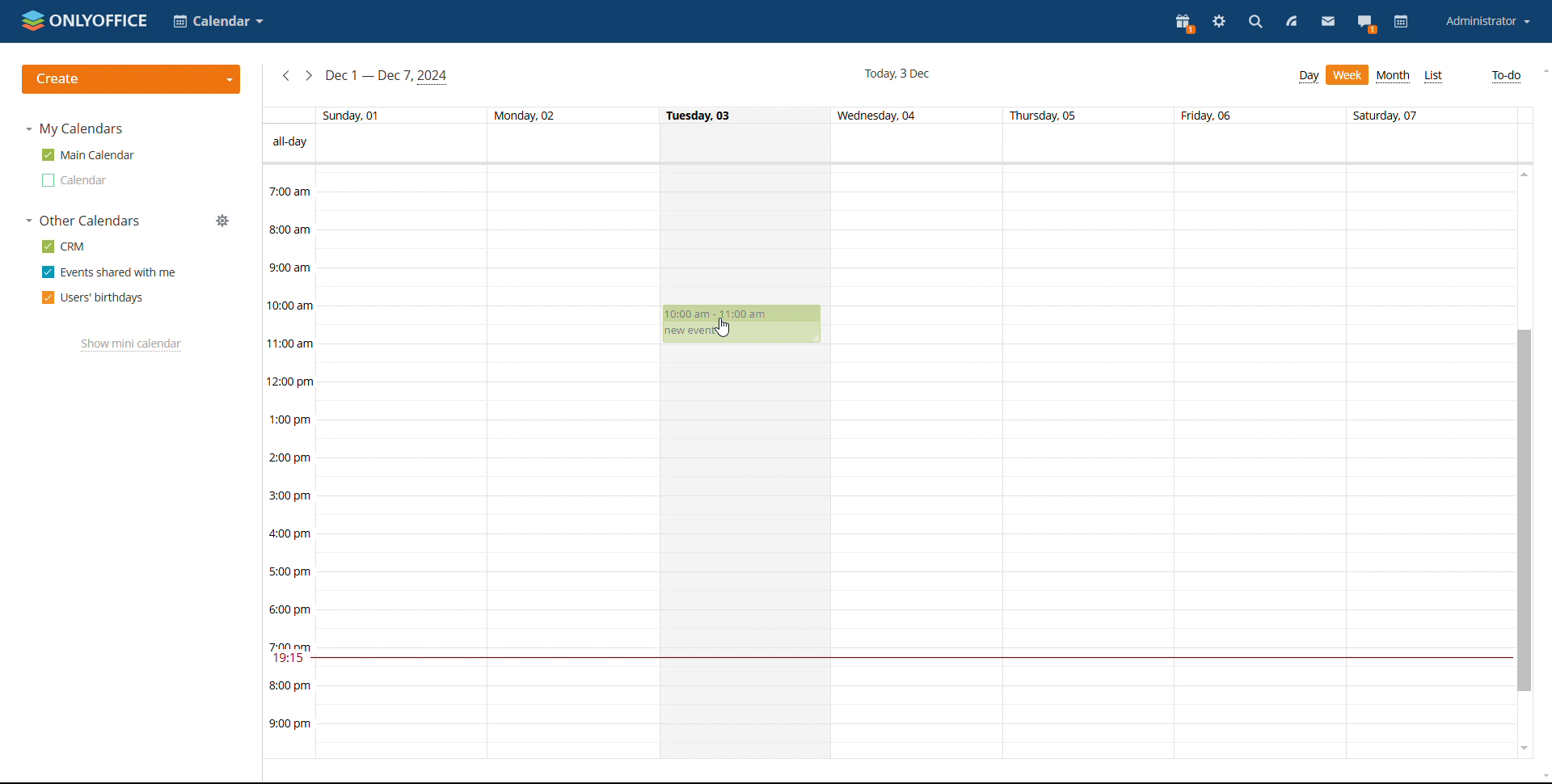 This screenshot has width=1552, height=784. Describe the element at coordinates (896, 73) in the screenshot. I see `Today, 3 Dec` at that location.